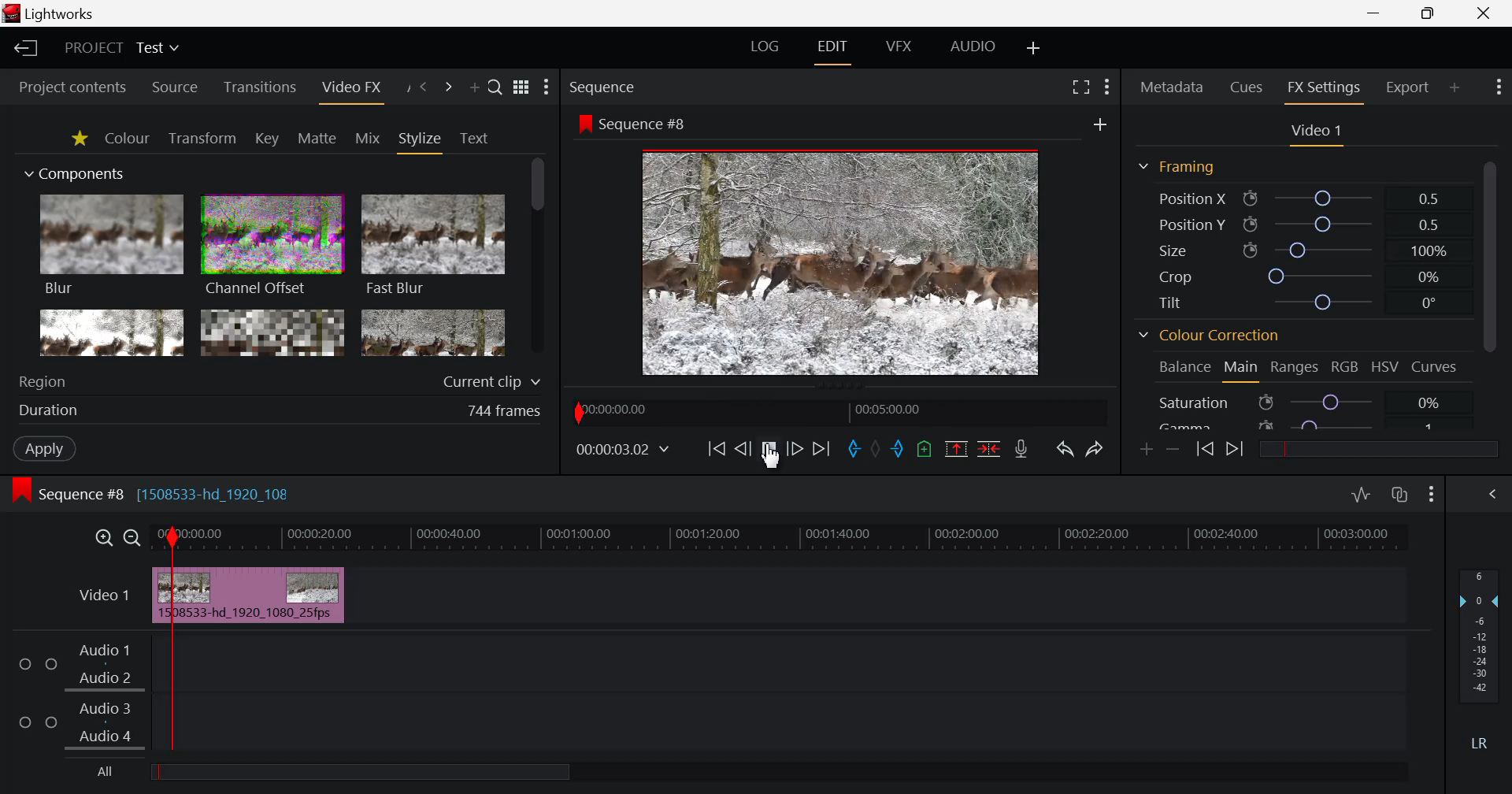 The height and width of the screenshot is (794, 1512). I want to click on Project Timeline Navigator, so click(837, 410).